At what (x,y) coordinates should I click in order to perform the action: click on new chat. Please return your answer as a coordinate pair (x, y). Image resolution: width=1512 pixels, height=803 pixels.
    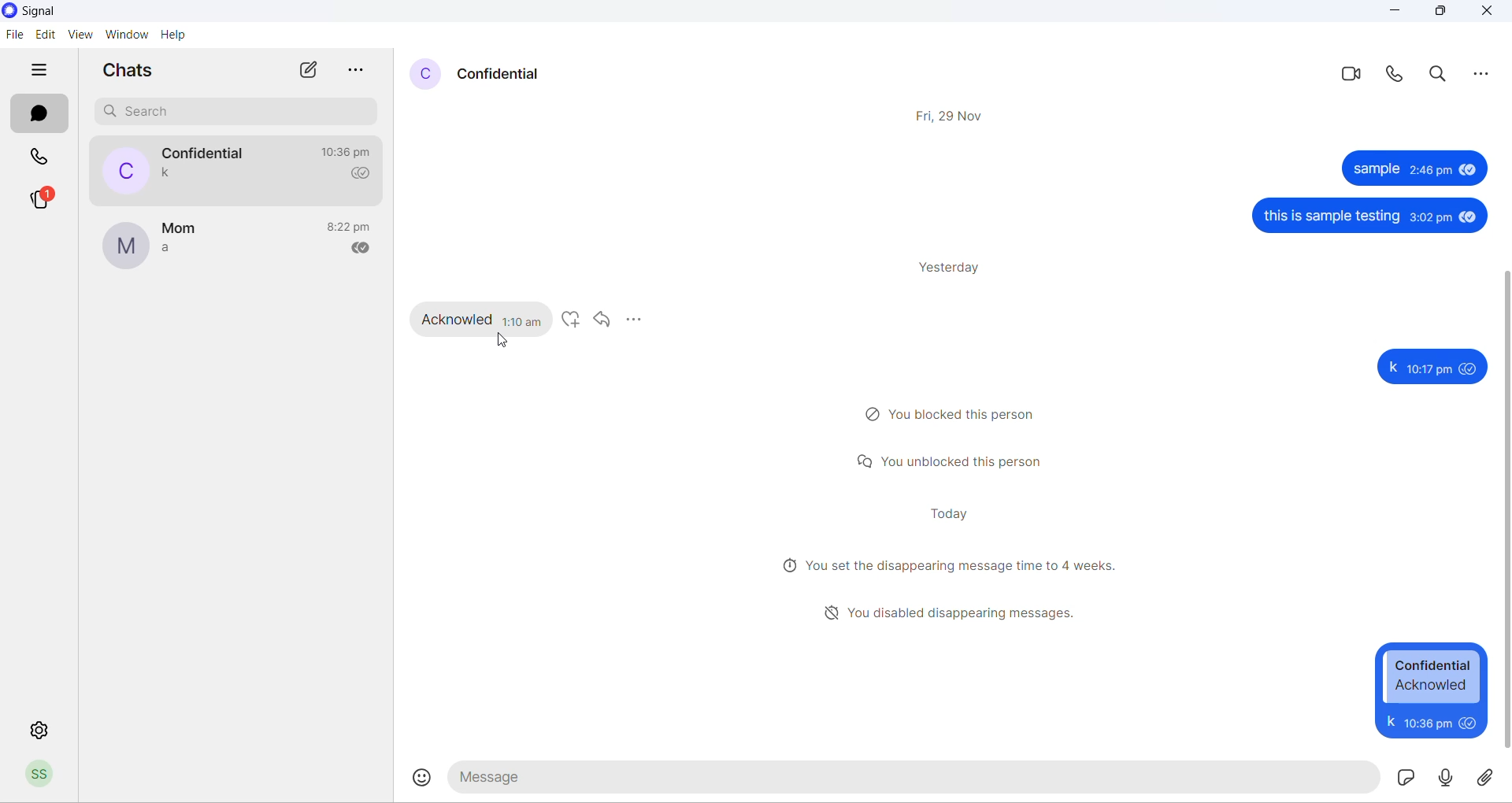
    Looking at the image, I should click on (306, 71).